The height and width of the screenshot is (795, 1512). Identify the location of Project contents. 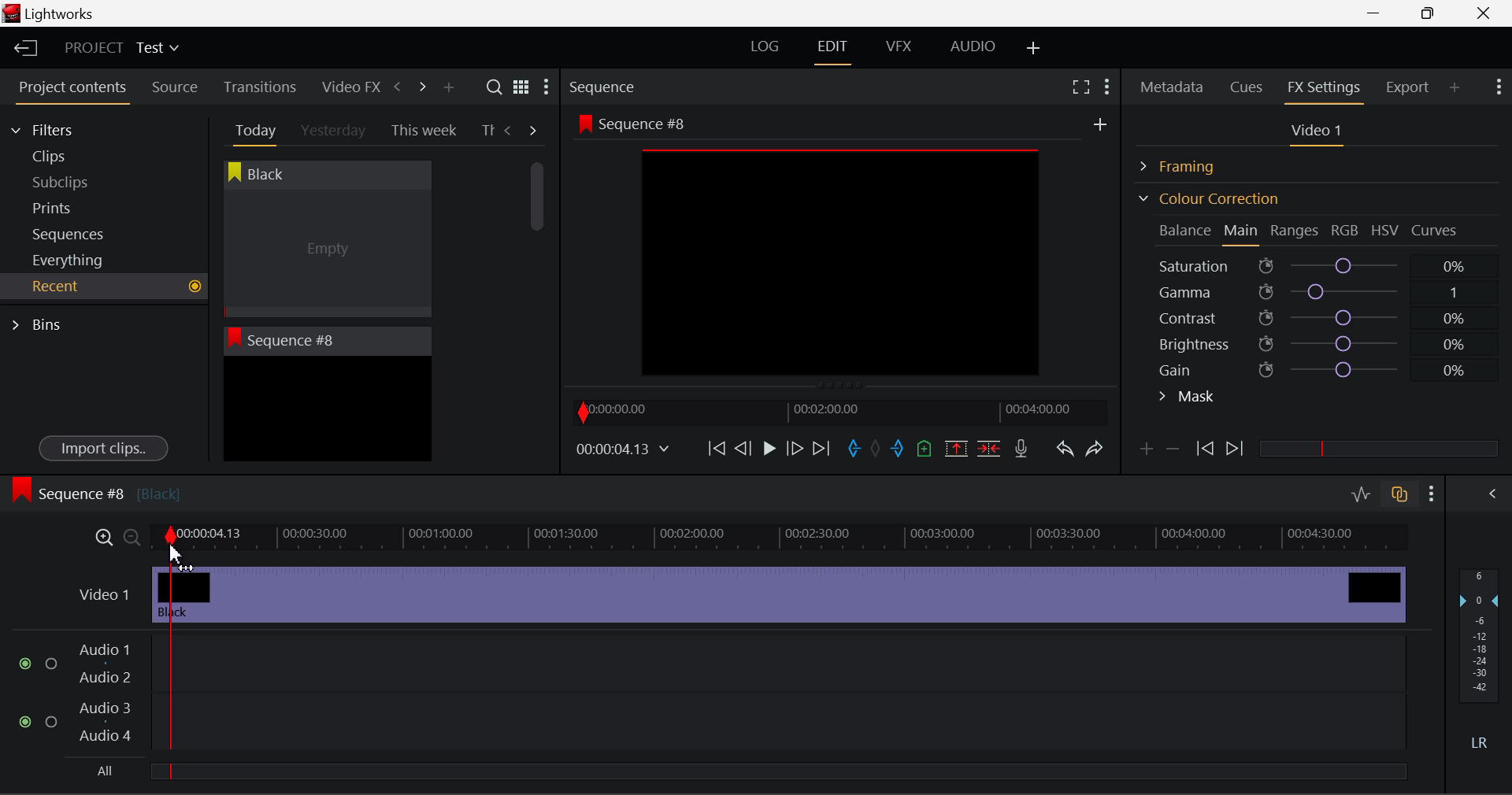
(72, 91).